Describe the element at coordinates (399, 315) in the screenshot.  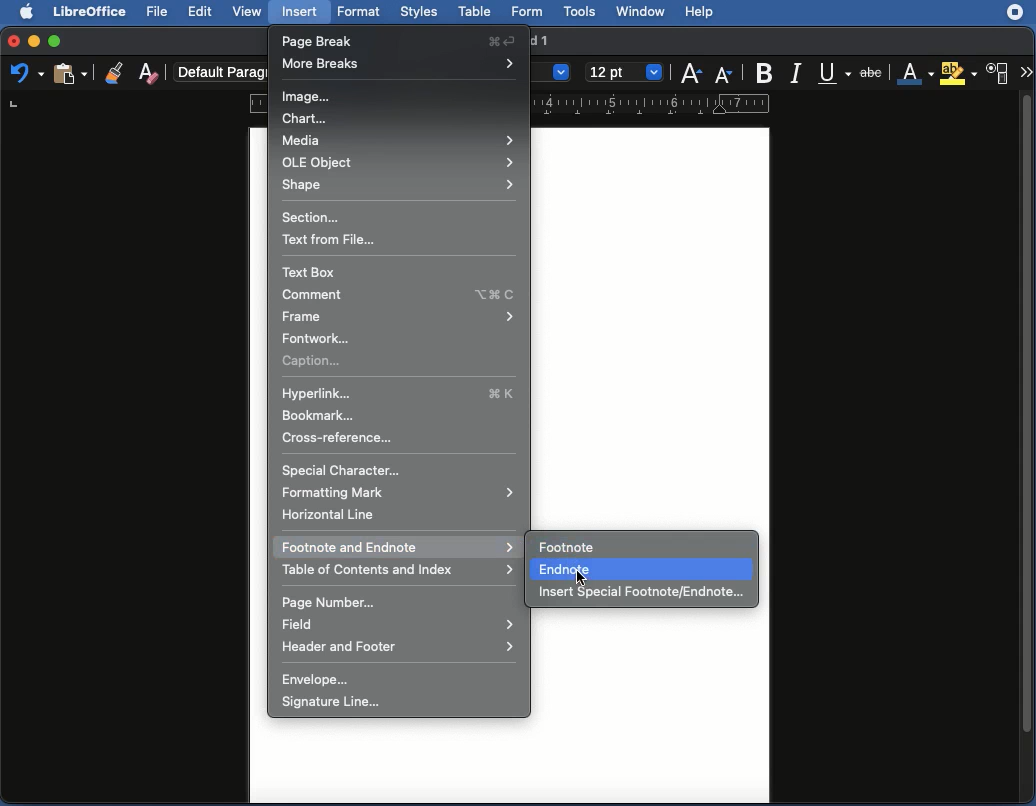
I see `Frame` at that location.